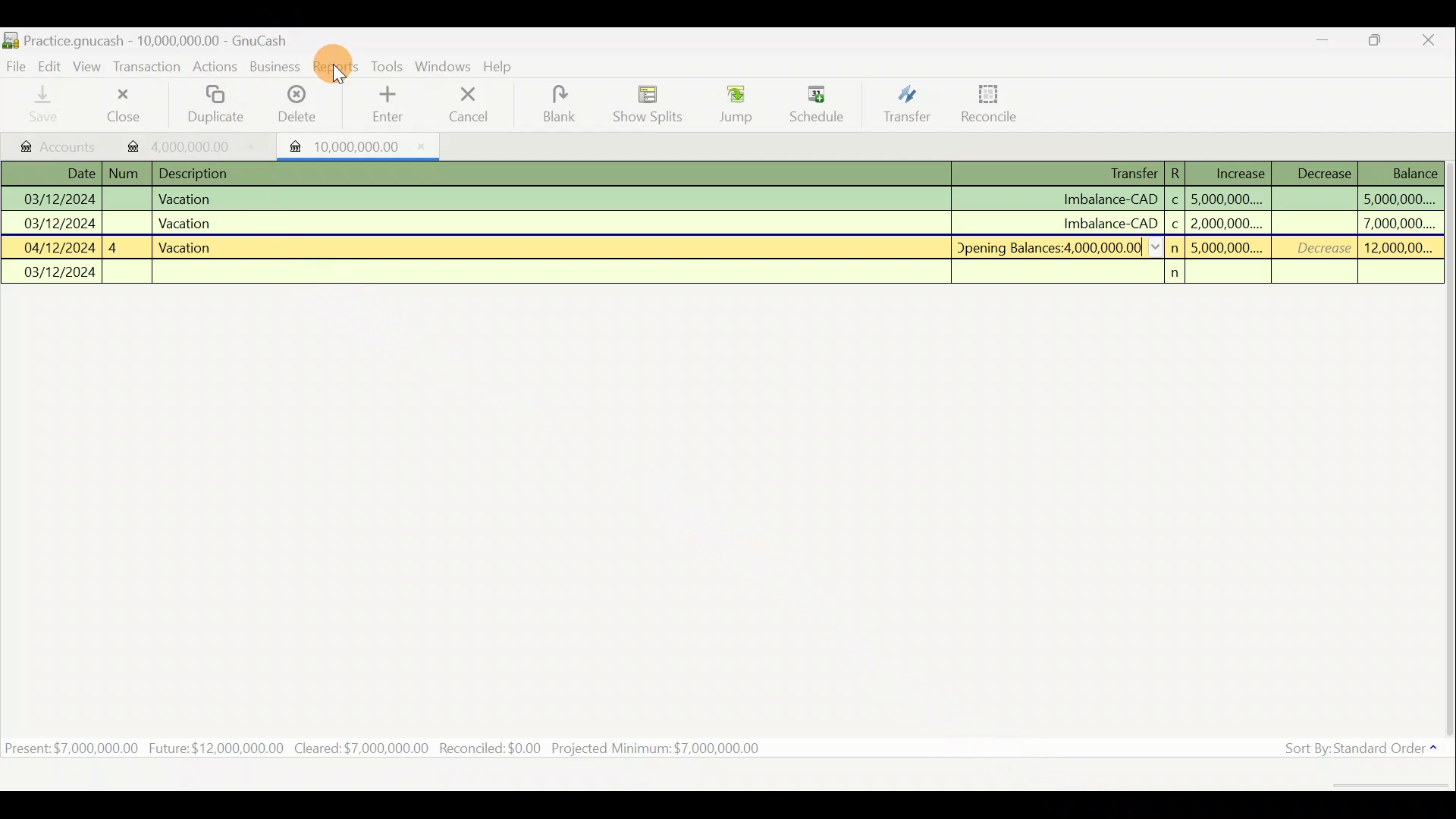 The height and width of the screenshot is (819, 1456). Describe the element at coordinates (184, 246) in the screenshot. I see `Vacation` at that location.